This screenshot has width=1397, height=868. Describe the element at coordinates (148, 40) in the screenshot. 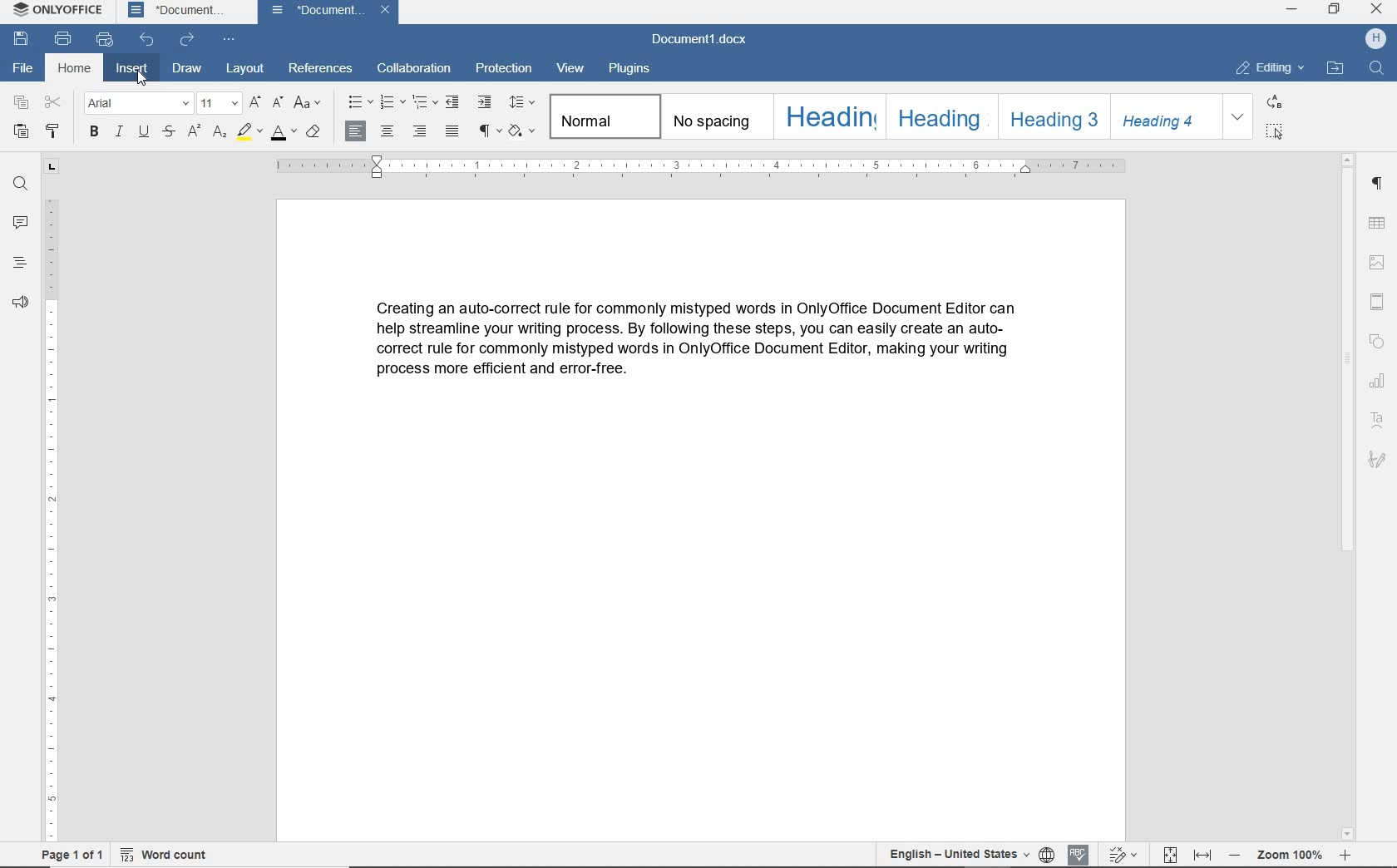

I see `undo` at that location.